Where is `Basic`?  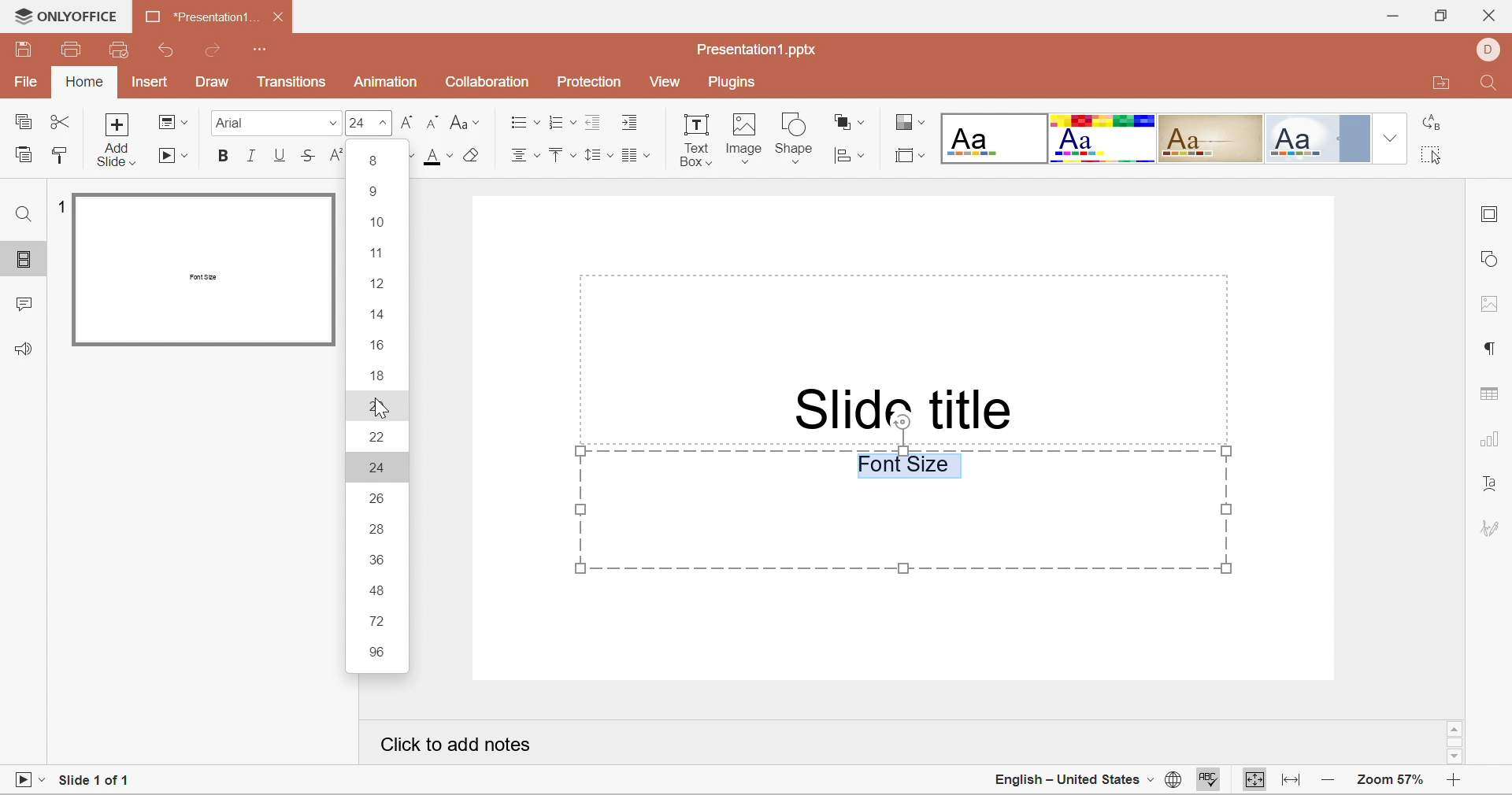 Basic is located at coordinates (1104, 139).